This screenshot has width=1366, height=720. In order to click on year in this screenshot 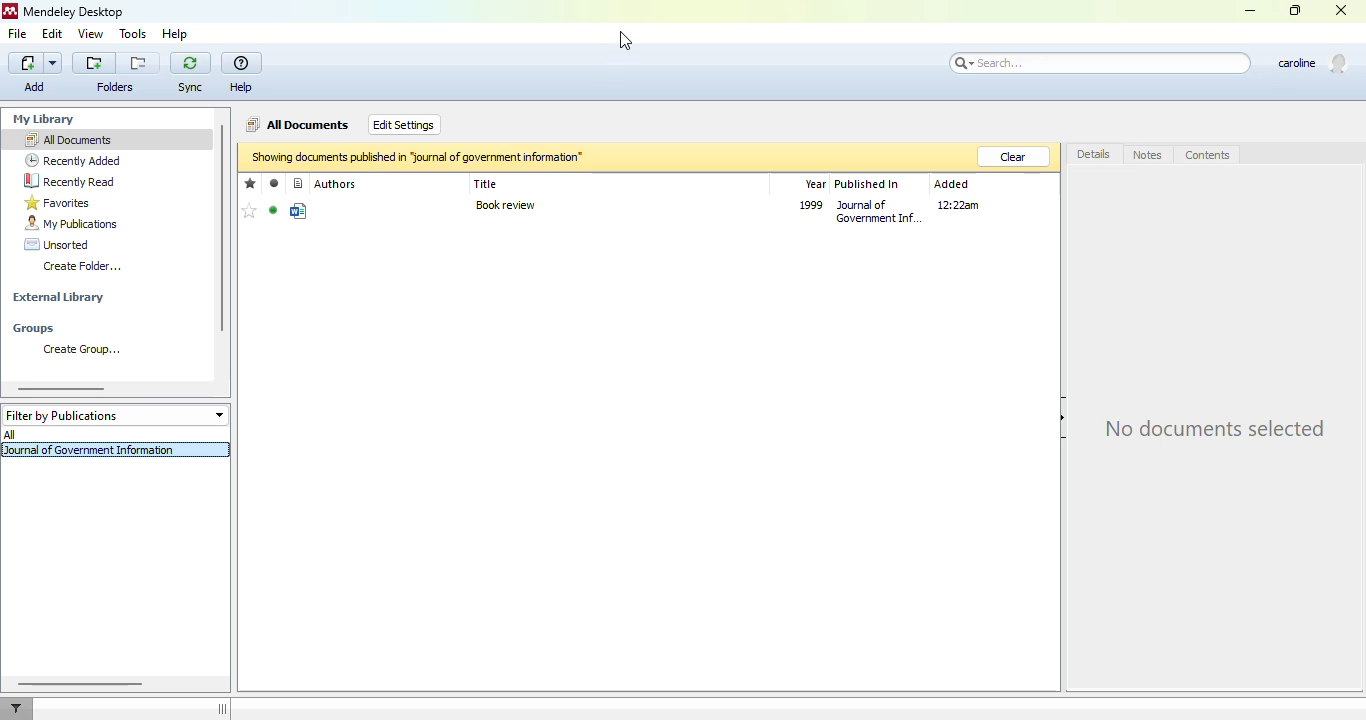, I will do `click(816, 184)`.